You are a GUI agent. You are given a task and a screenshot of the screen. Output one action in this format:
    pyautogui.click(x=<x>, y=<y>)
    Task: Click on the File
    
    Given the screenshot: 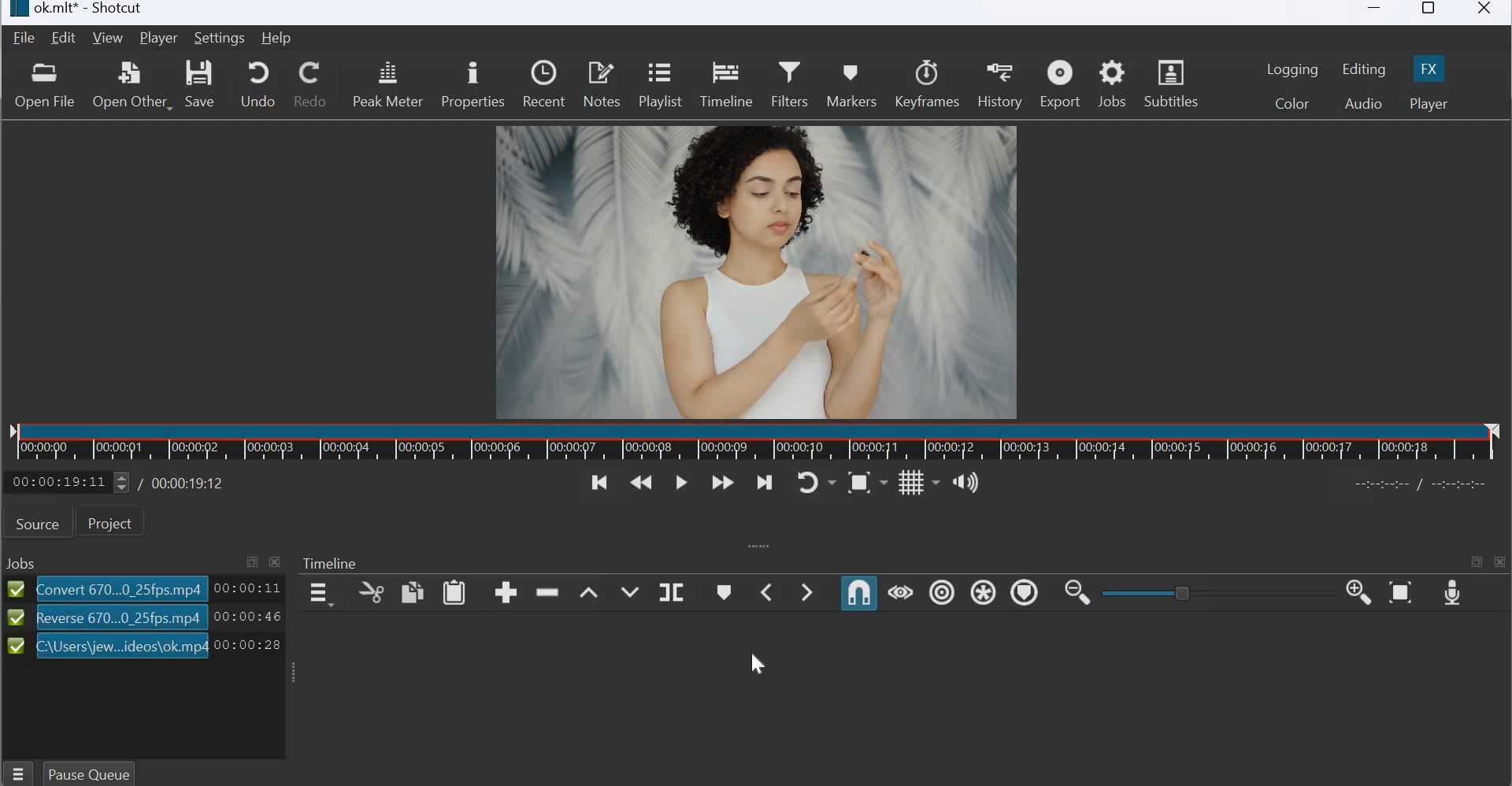 What is the action you would take?
    pyautogui.click(x=25, y=38)
    